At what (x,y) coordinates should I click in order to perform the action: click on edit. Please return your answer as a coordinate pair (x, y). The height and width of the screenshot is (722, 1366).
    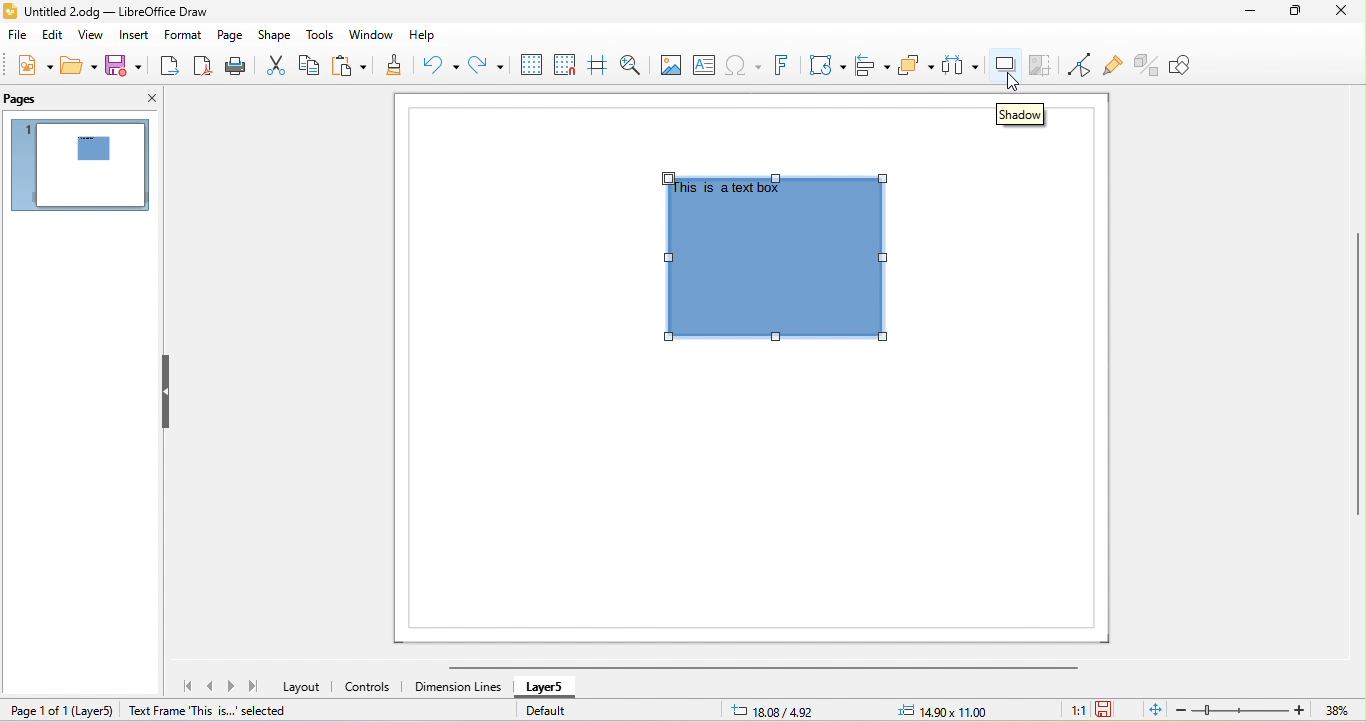
    Looking at the image, I should click on (55, 37).